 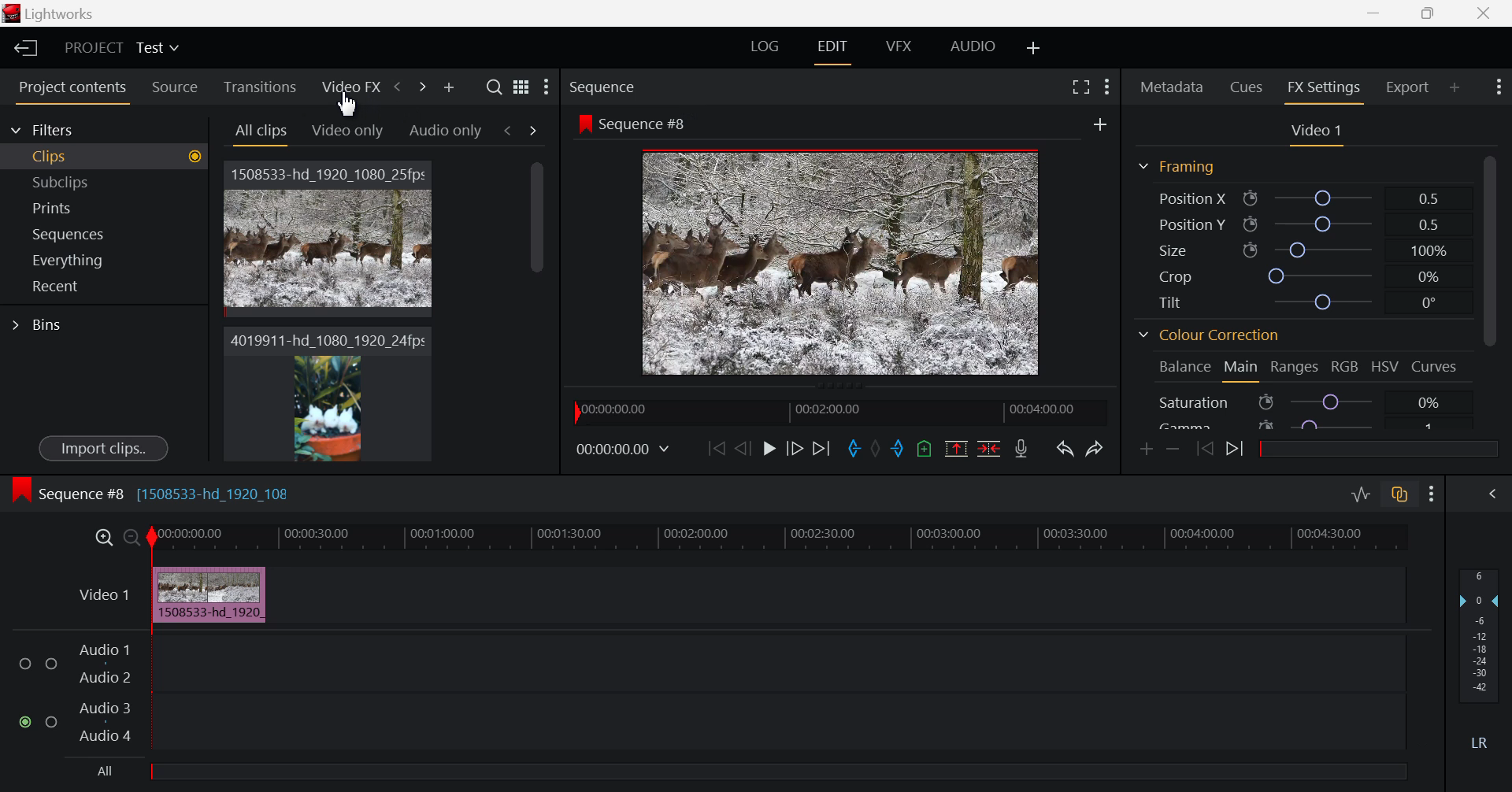 What do you see at coordinates (1240, 371) in the screenshot?
I see `Main Tab Open` at bounding box center [1240, 371].